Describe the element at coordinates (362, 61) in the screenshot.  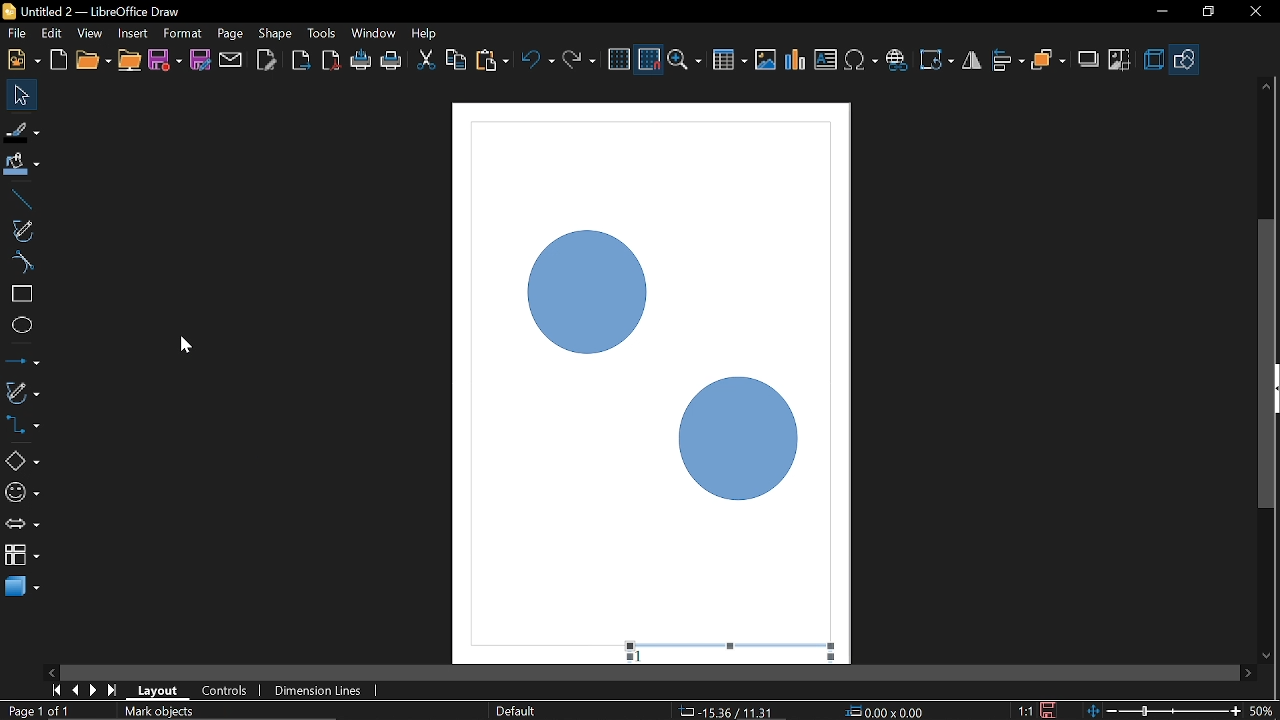
I see `print ` at that location.